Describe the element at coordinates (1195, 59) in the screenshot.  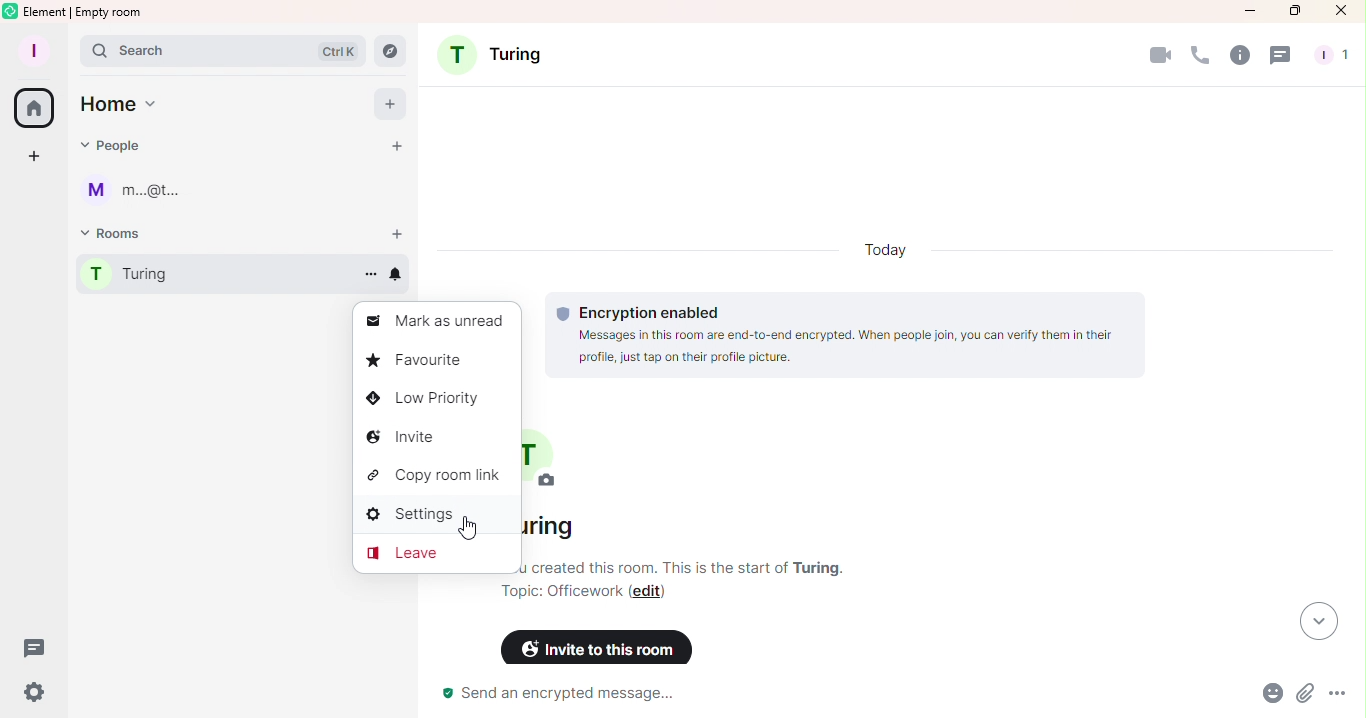
I see `Calls` at that location.